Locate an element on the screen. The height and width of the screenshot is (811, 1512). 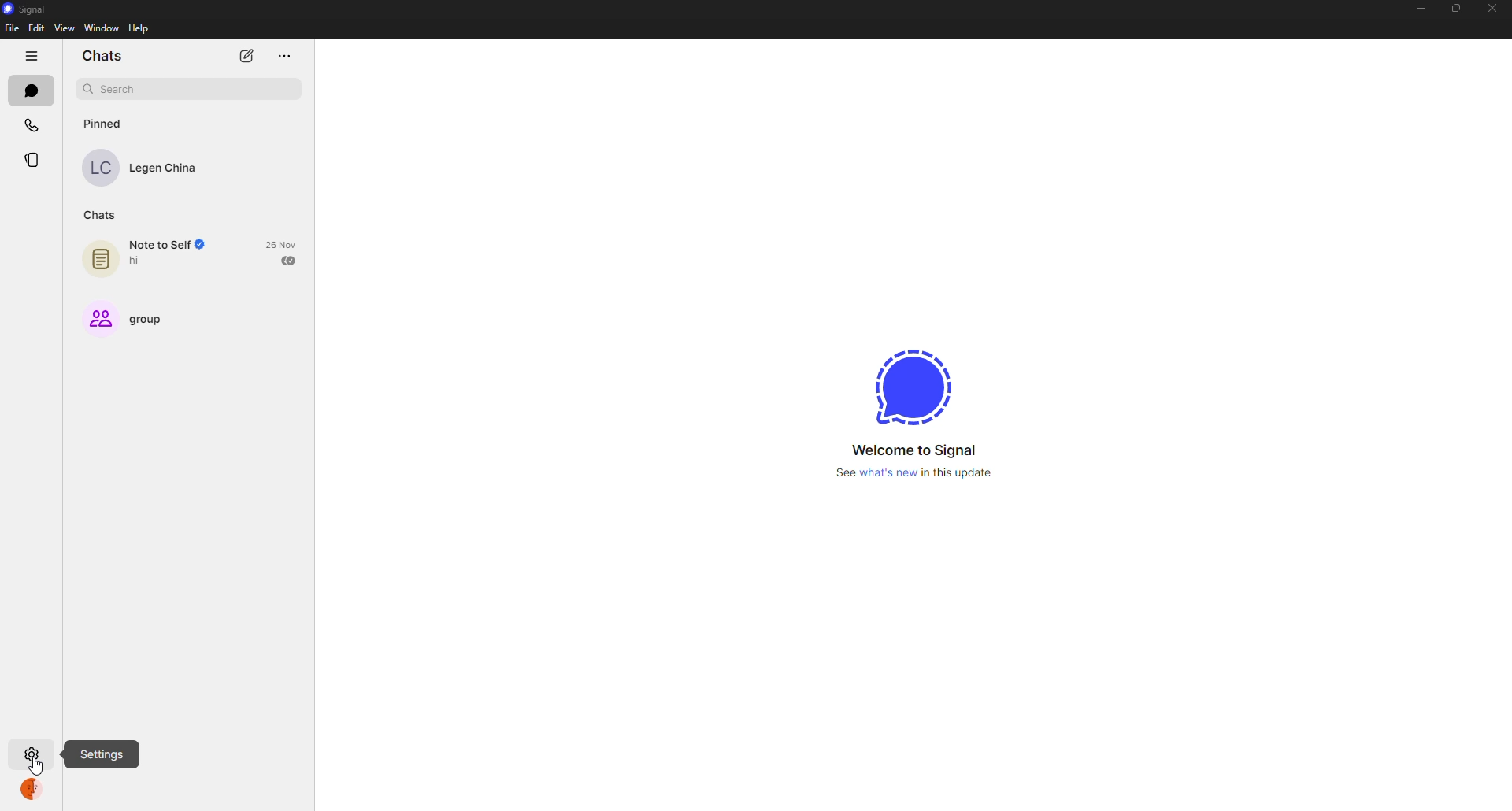
sent is located at coordinates (287, 261).